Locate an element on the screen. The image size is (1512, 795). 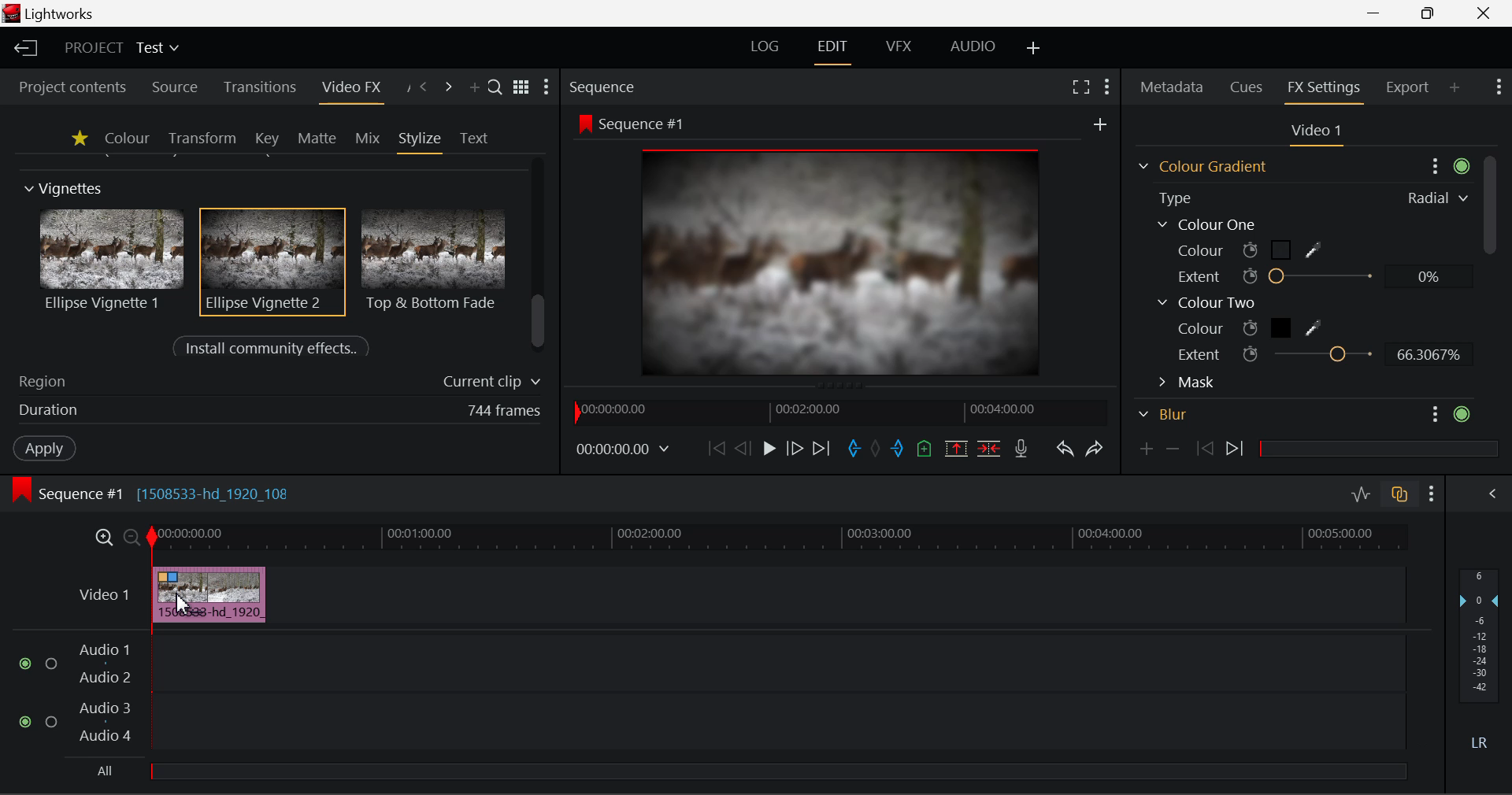
Colour  is located at coordinates (1253, 250).